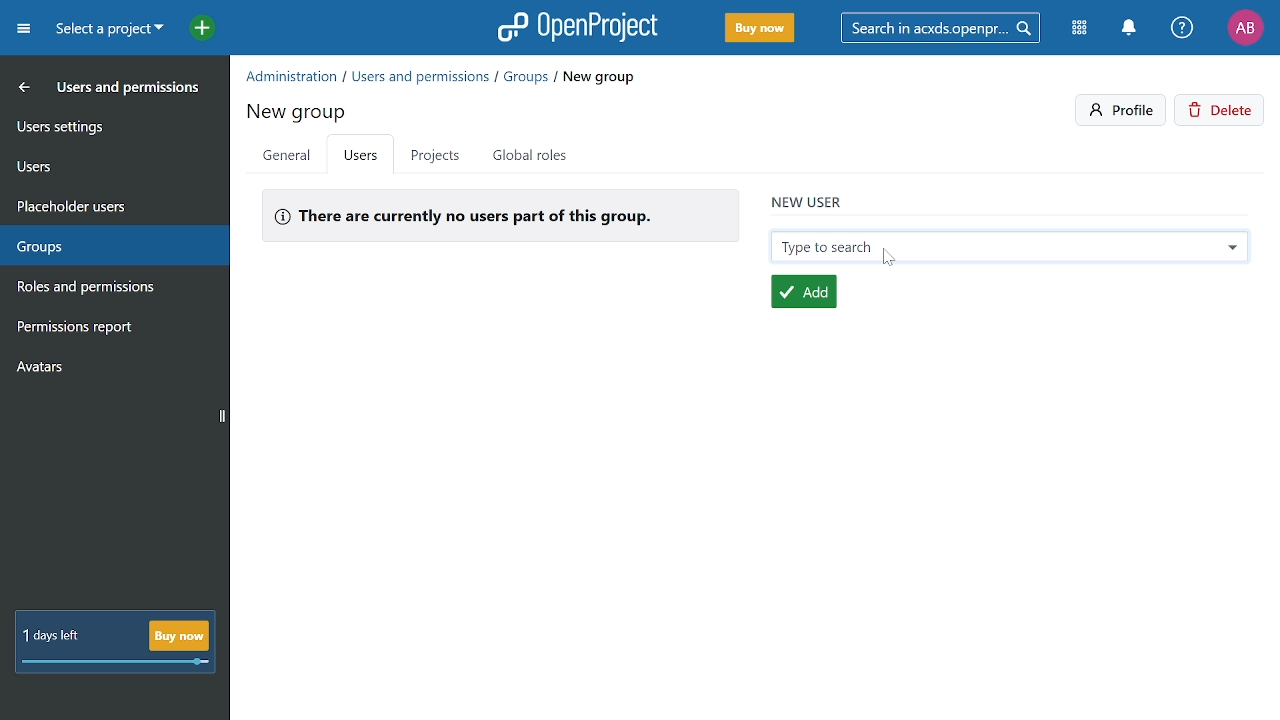 The height and width of the screenshot is (720, 1280). I want to click on new group, so click(299, 109).